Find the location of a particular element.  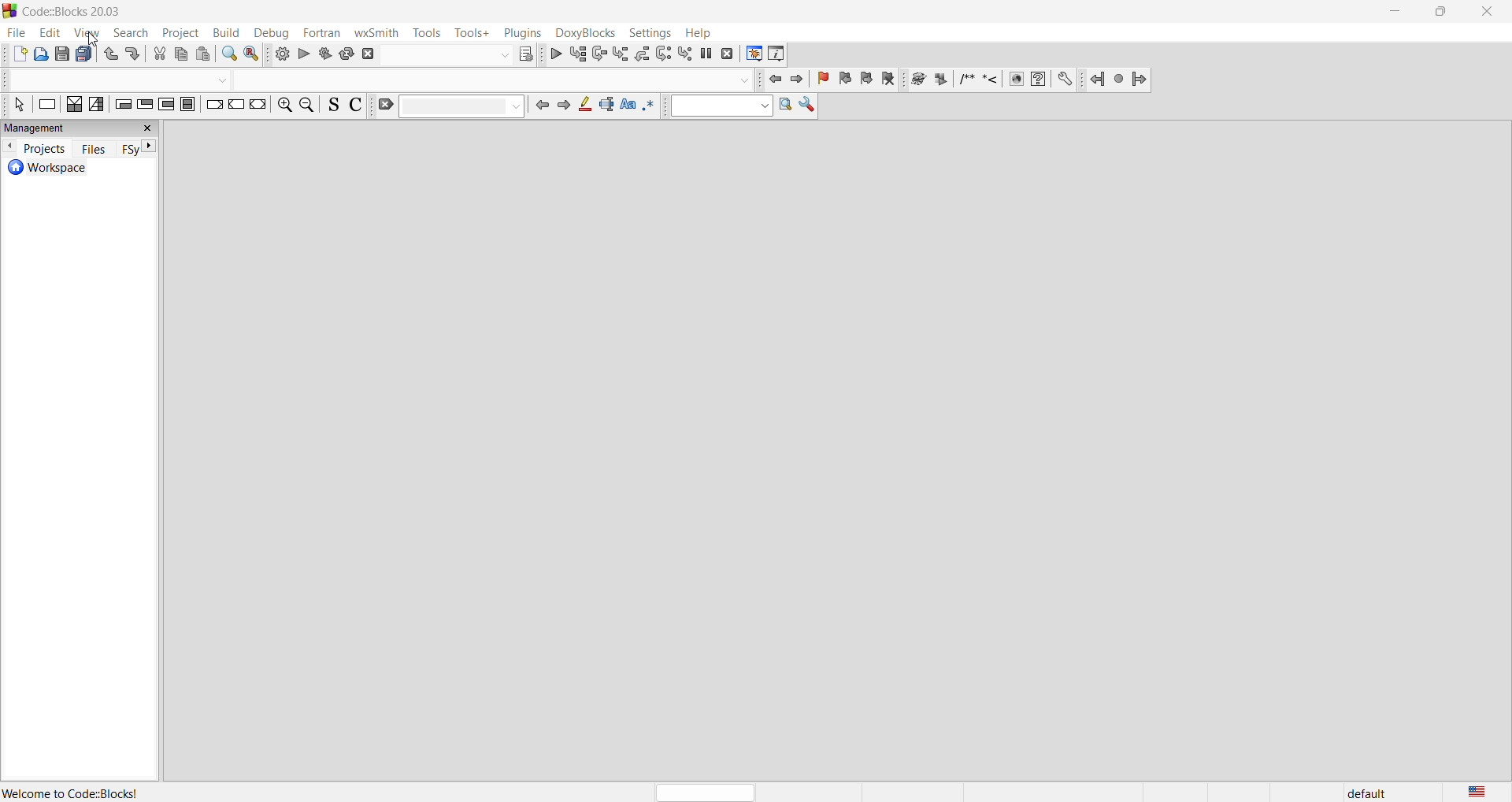

break instruction is located at coordinates (215, 106).